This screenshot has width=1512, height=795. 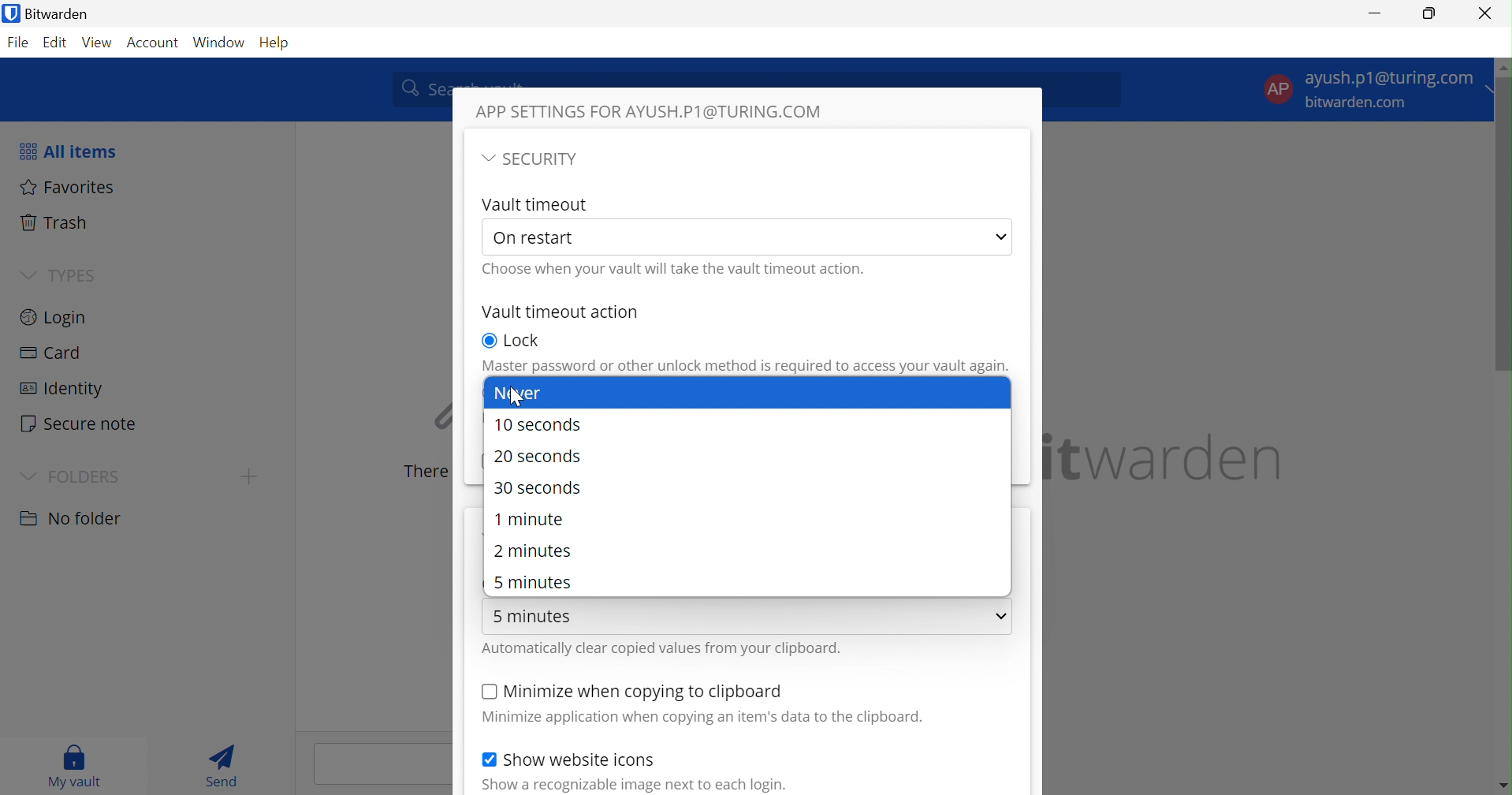 What do you see at coordinates (661, 648) in the screenshot?
I see `Automatically clear copied values from your clipboard.` at bounding box center [661, 648].